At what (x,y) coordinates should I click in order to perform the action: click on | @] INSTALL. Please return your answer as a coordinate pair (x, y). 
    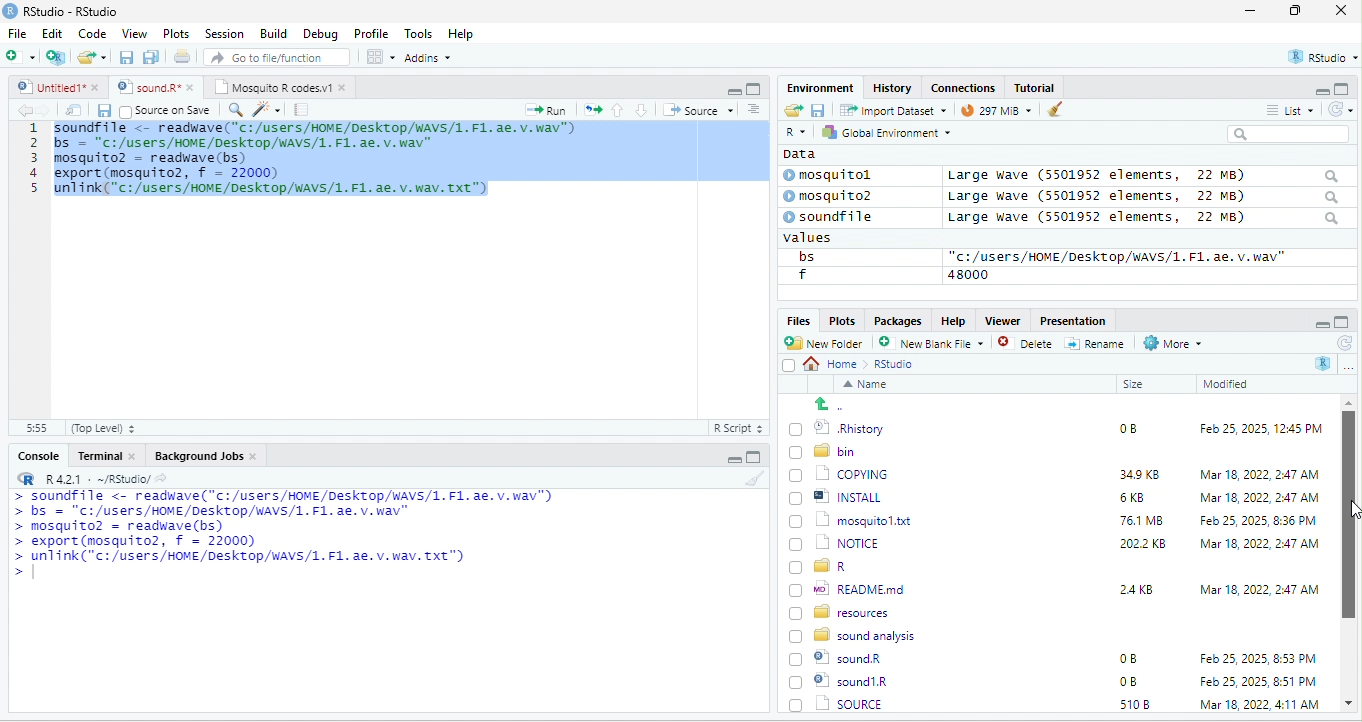
    Looking at the image, I should click on (839, 496).